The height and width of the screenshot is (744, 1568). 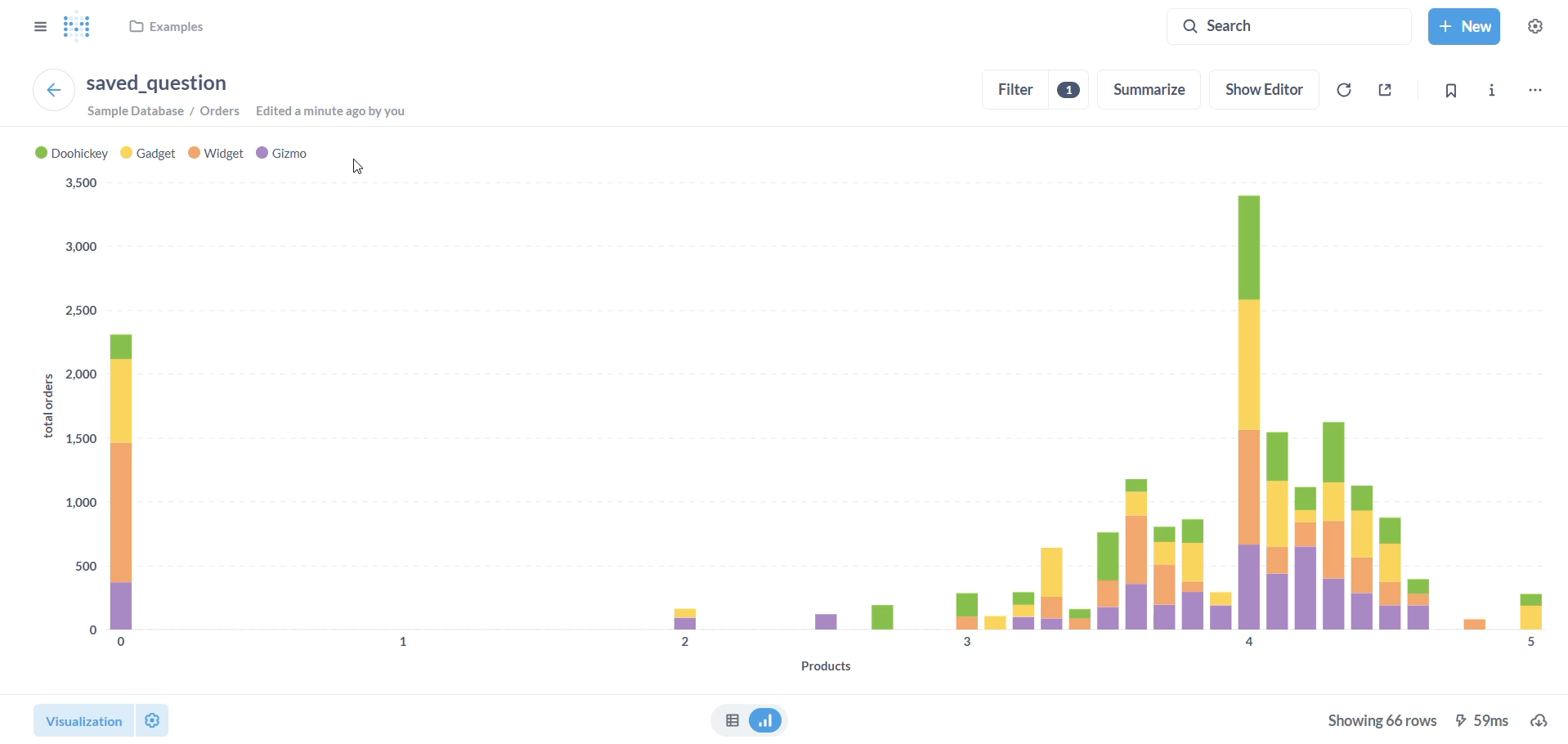 I want to click on table, so click(x=726, y=722).